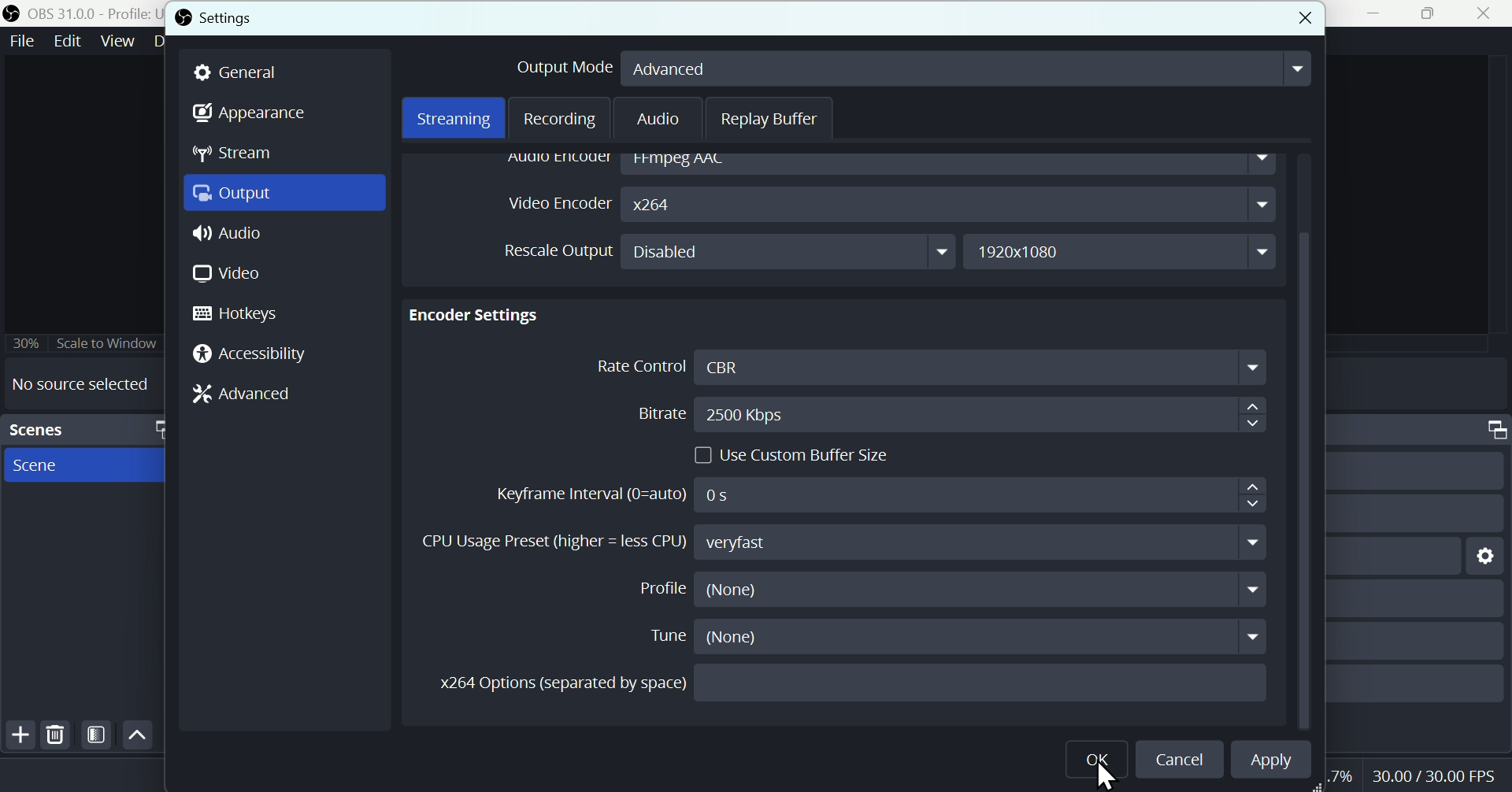 Image resolution: width=1512 pixels, height=792 pixels. What do you see at coordinates (791, 252) in the screenshot?
I see `Disabled` at bounding box center [791, 252].